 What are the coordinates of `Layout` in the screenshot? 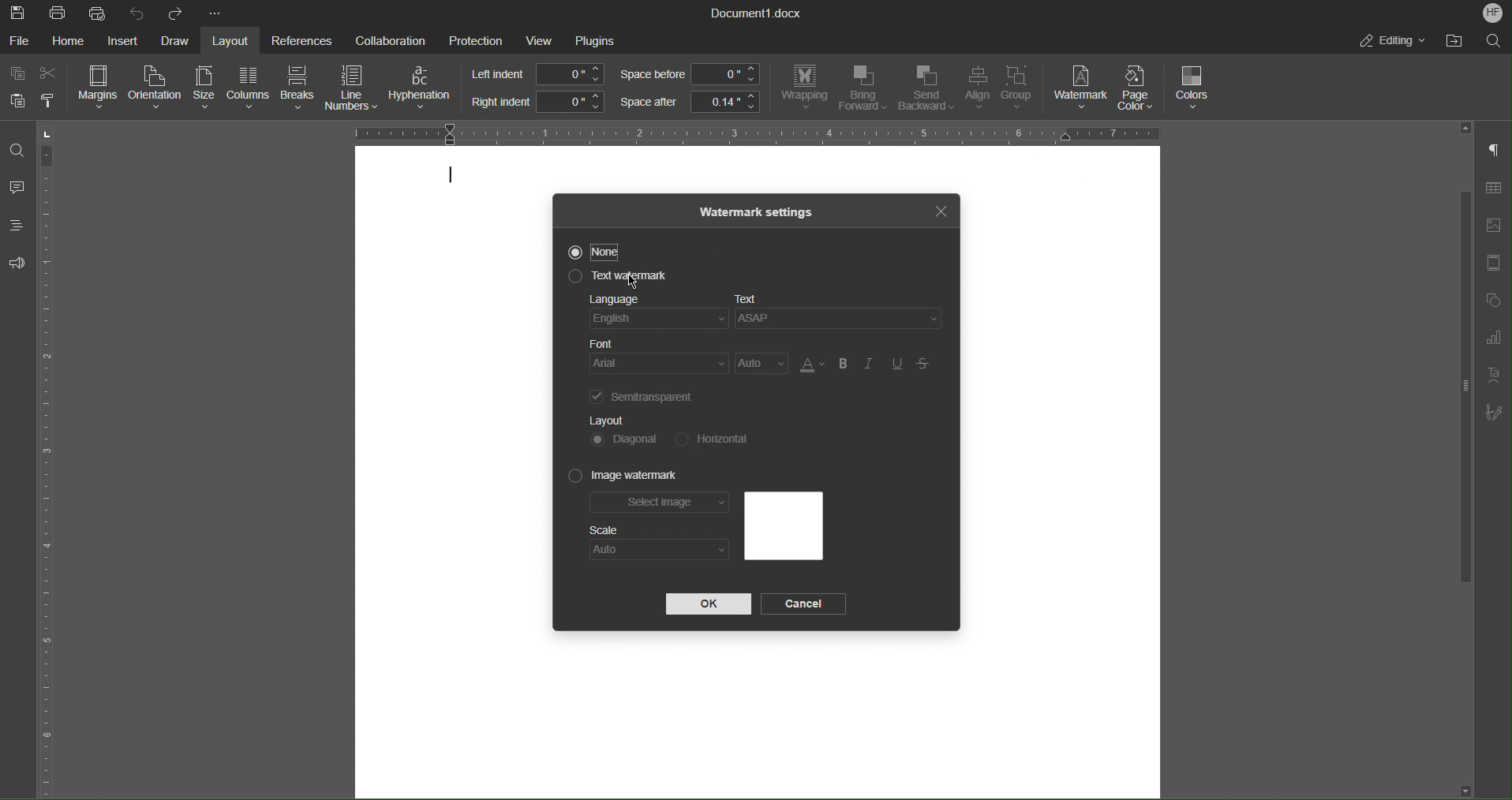 It's located at (607, 420).